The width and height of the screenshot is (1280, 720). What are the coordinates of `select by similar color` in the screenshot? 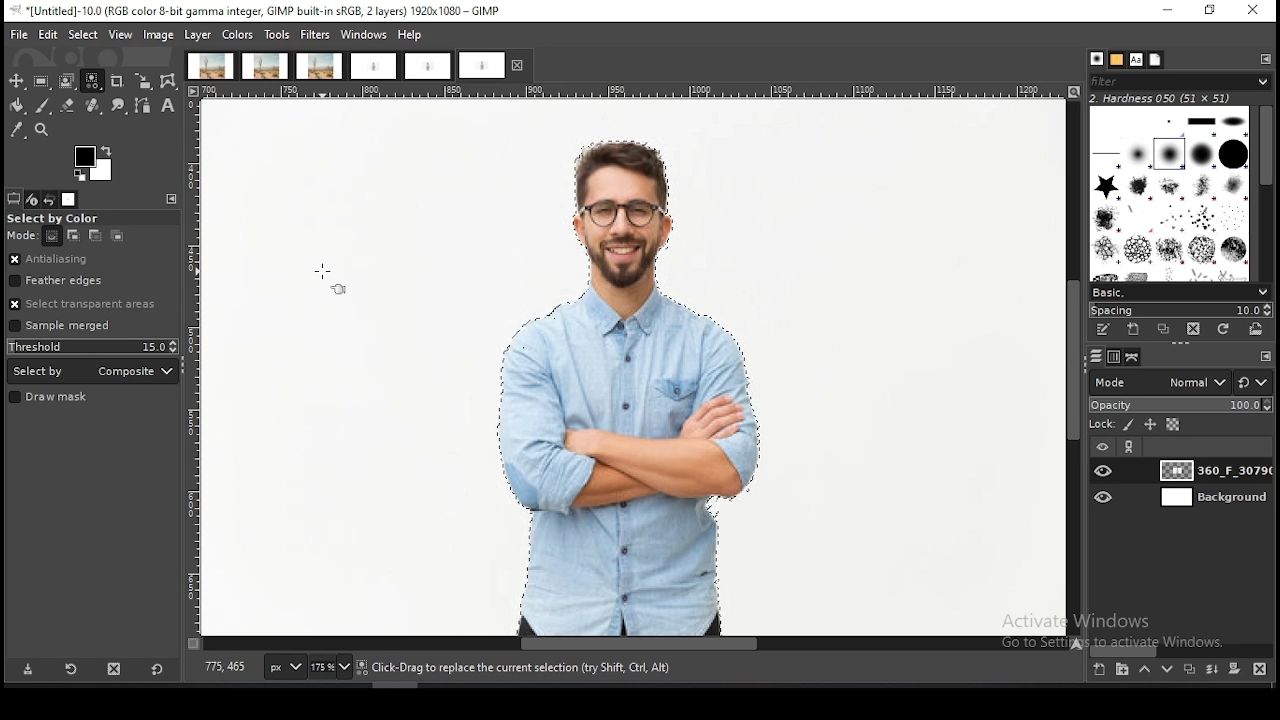 It's located at (92, 81).